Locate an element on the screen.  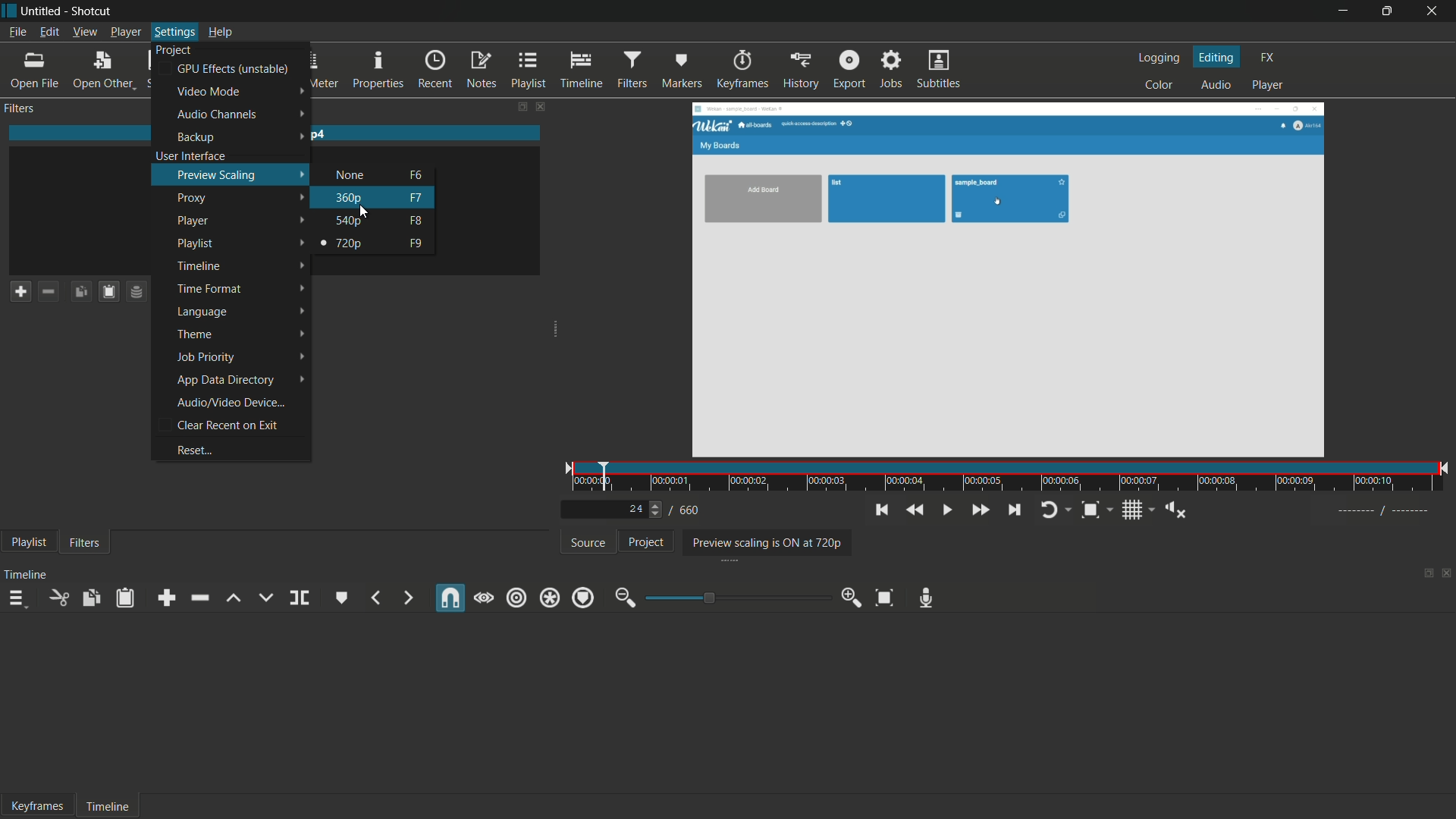
playlist is located at coordinates (196, 243).